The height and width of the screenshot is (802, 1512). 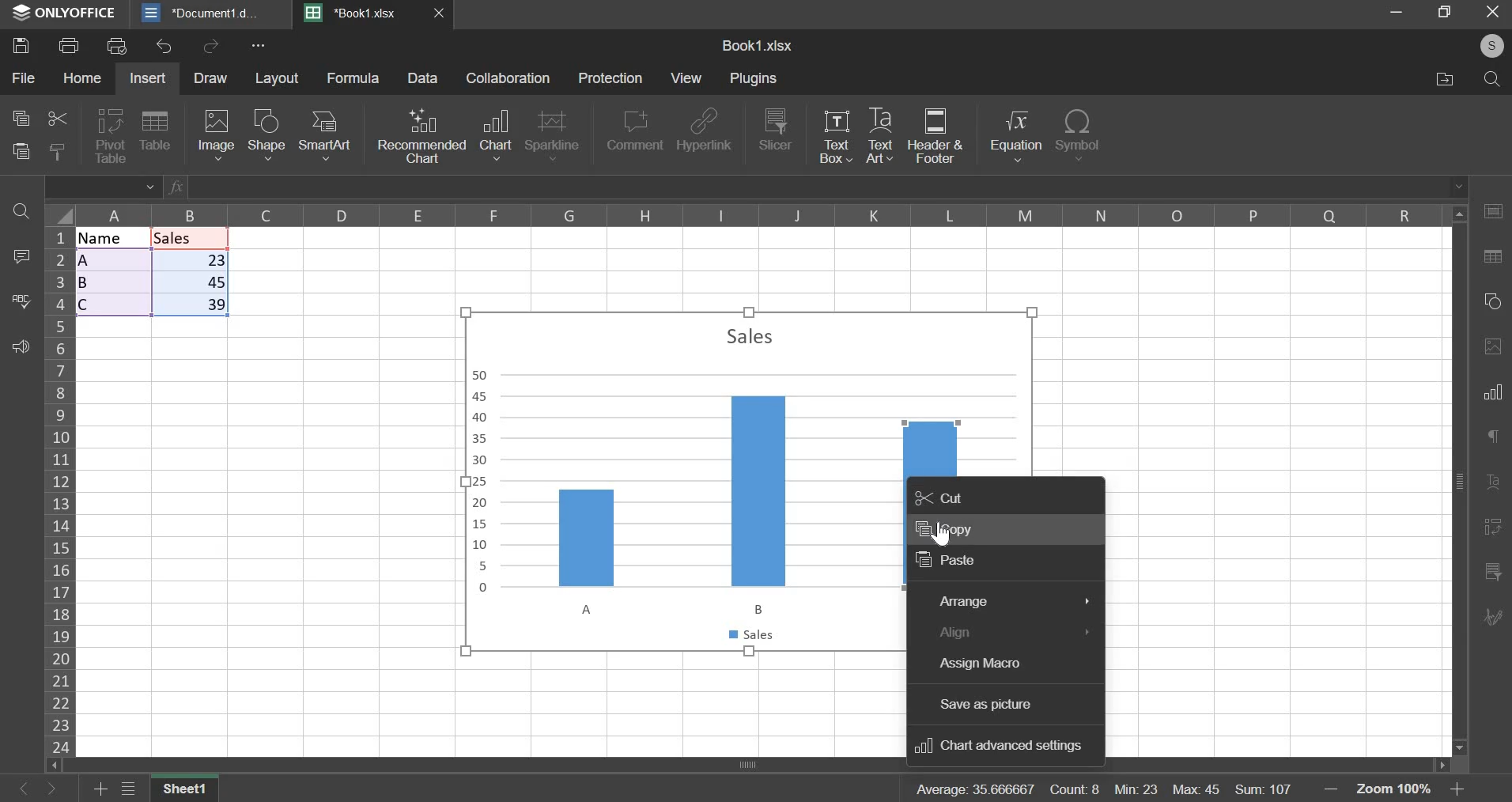 What do you see at coordinates (217, 134) in the screenshot?
I see `image` at bounding box center [217, 134].